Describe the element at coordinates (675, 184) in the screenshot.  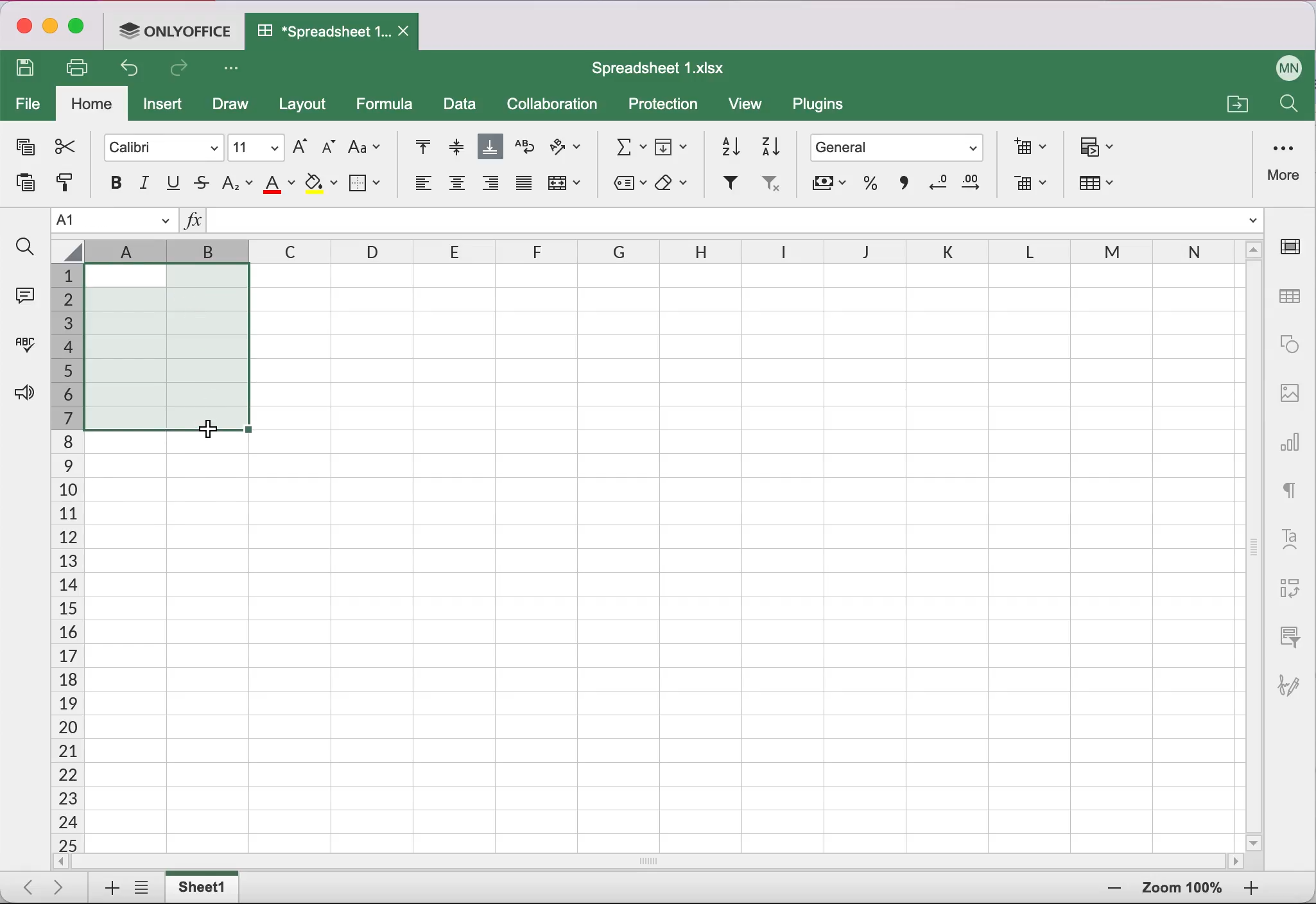
I see `clear` at that location.